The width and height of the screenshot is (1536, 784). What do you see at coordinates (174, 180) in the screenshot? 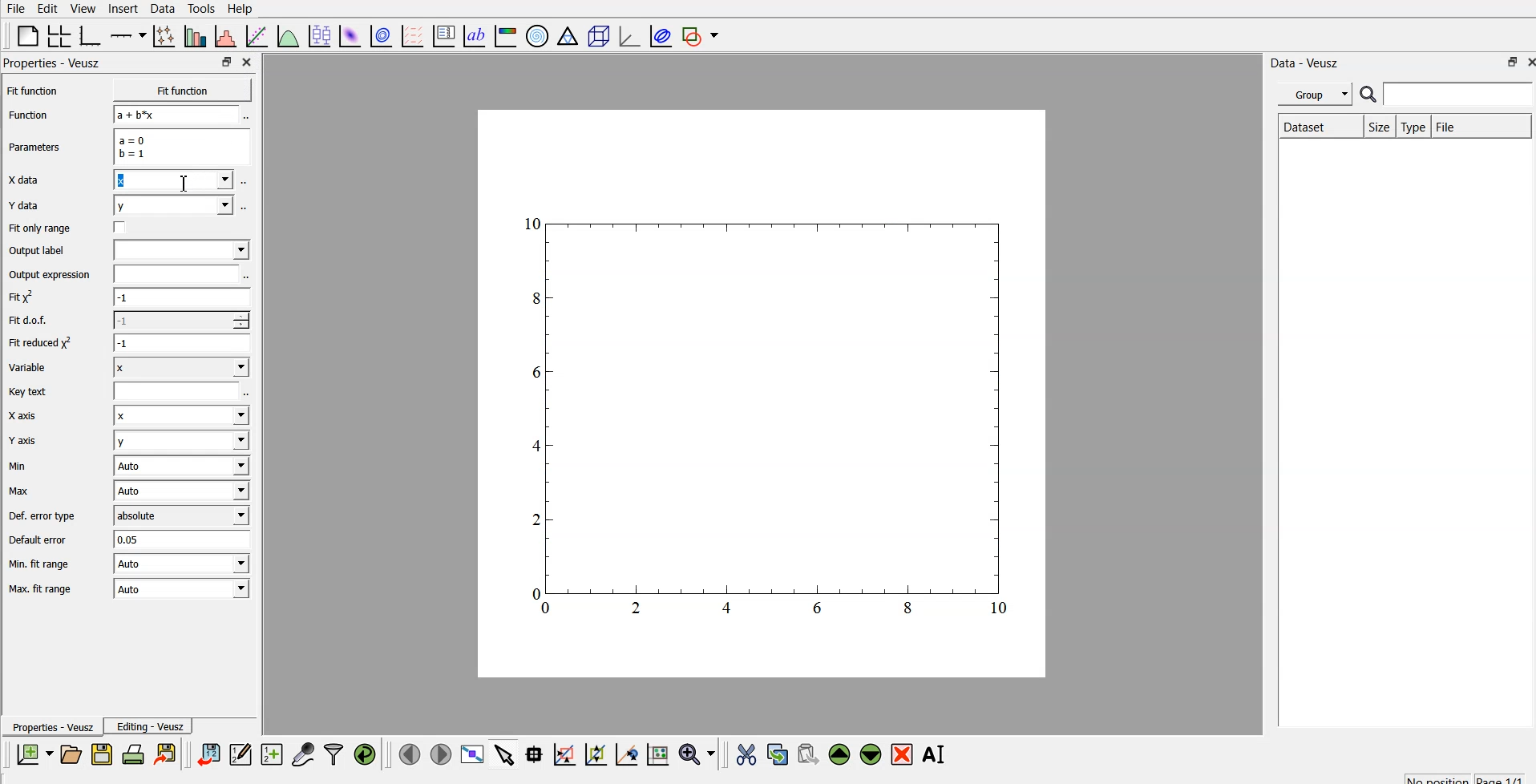
I see `x ` at bounding box center [174, 180].